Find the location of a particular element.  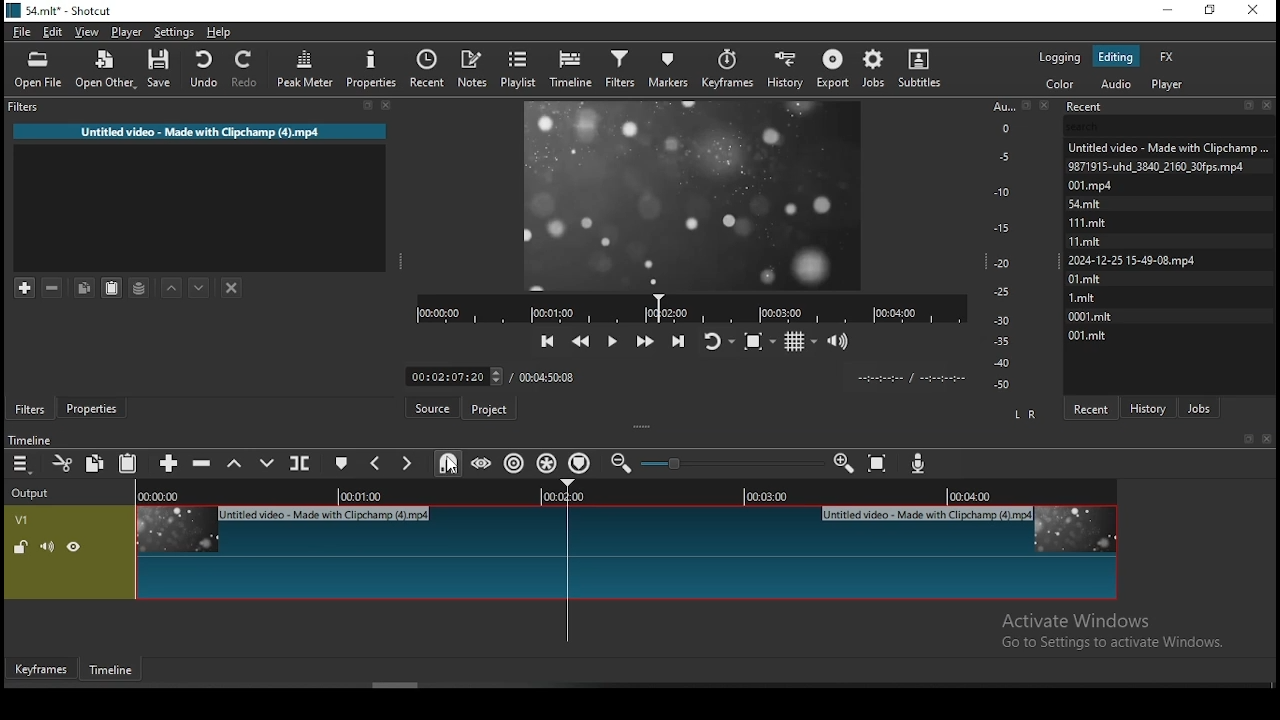

scrub while dragging is located at coordinates (479, 464).